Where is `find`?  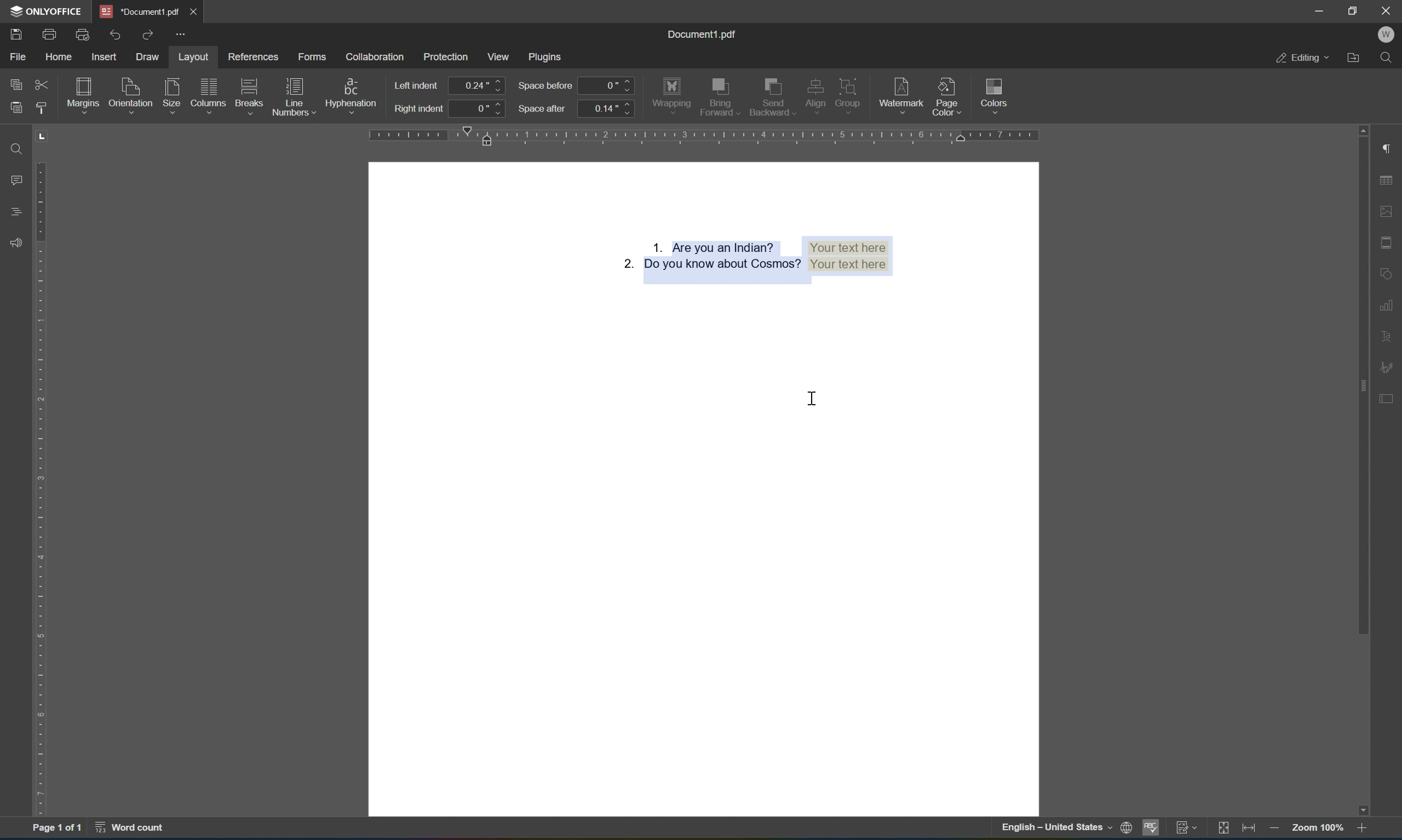 find is located at coordinates (19, 148).